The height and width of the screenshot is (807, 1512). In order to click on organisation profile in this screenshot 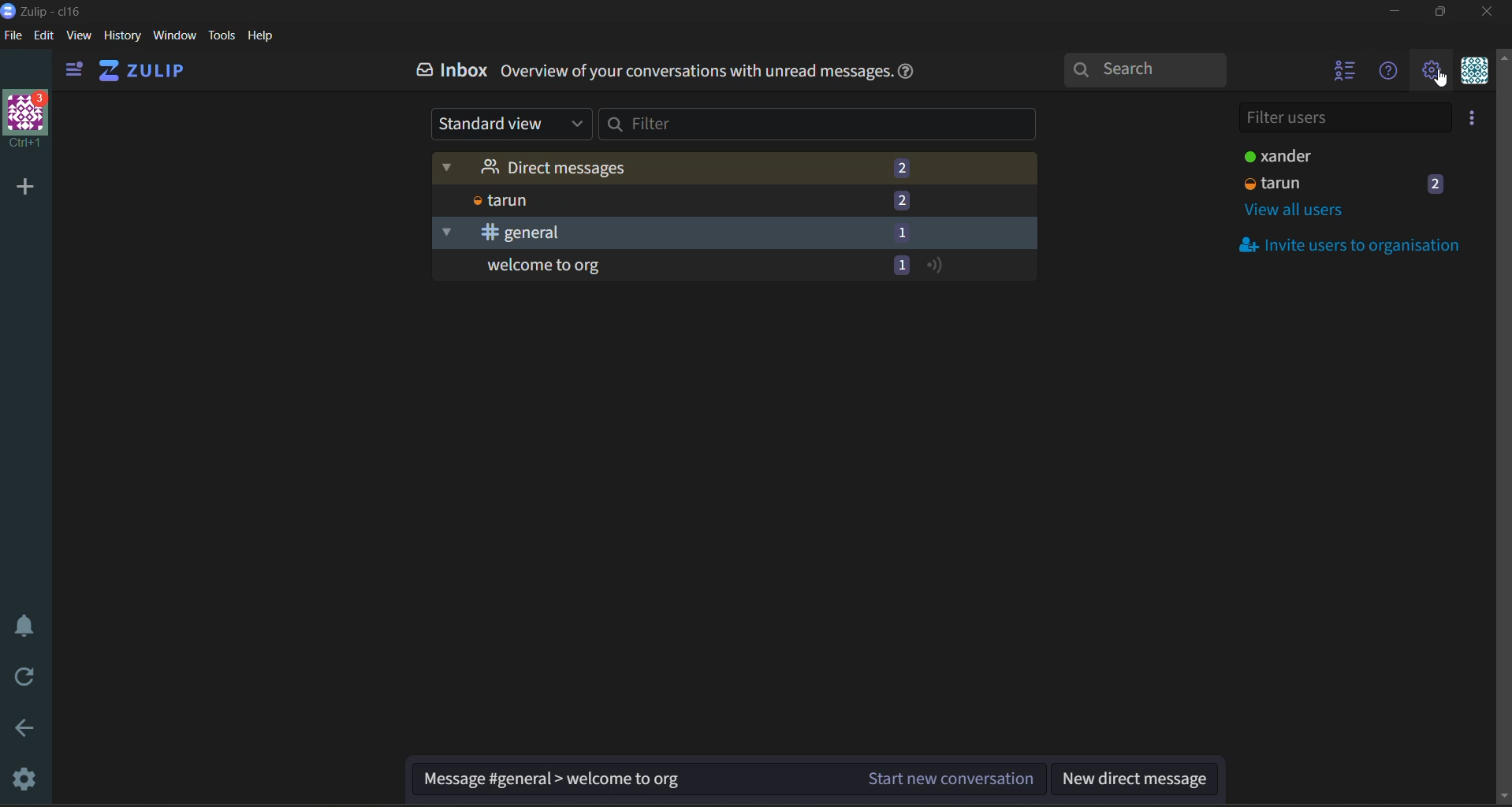, I will do `click(28, 119)`.